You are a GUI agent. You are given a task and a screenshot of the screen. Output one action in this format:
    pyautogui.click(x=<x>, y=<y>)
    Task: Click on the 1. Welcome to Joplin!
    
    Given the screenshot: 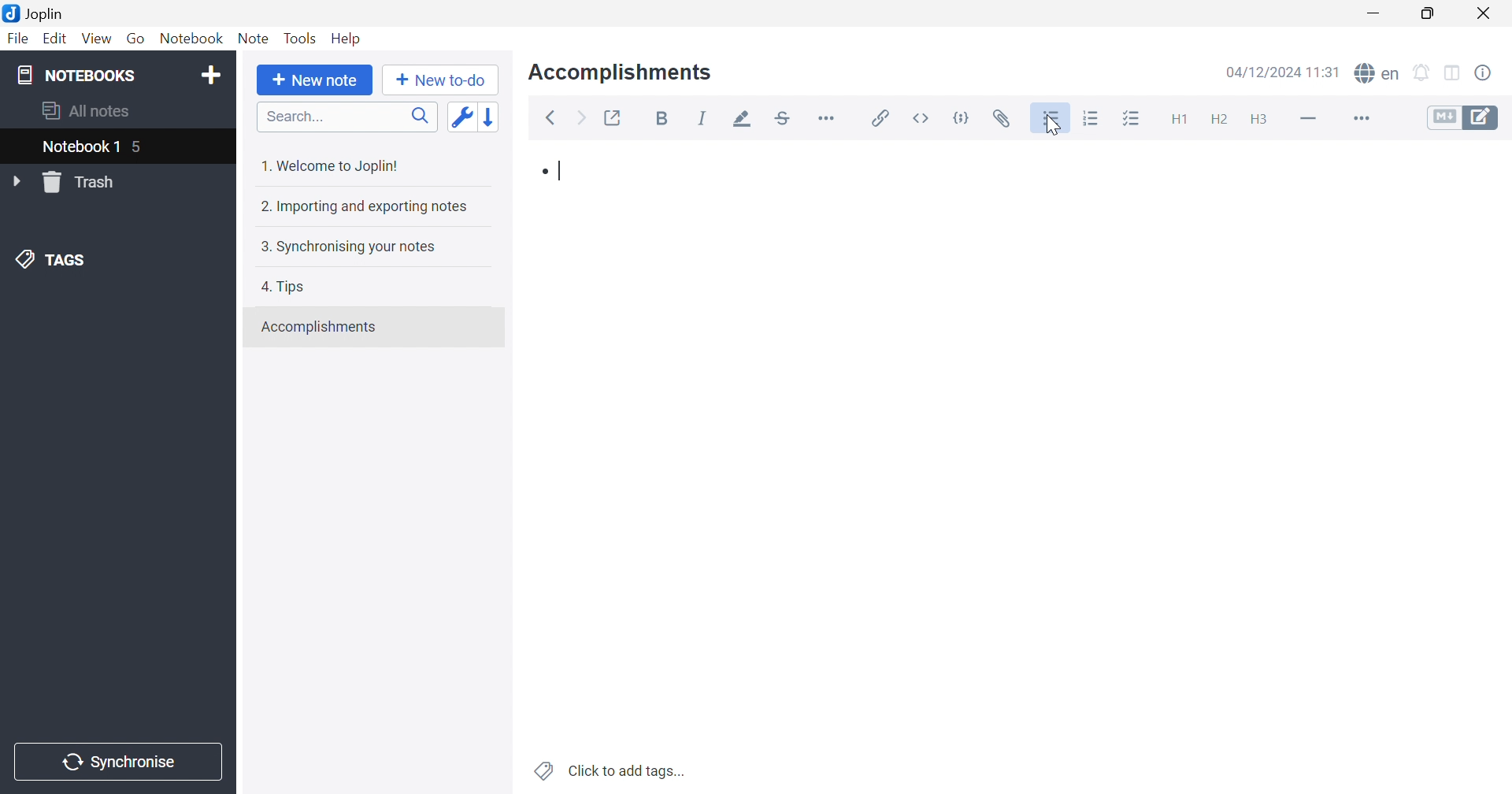 What is the action you would take?
    pyautogui.click(x=335, y=165)
    